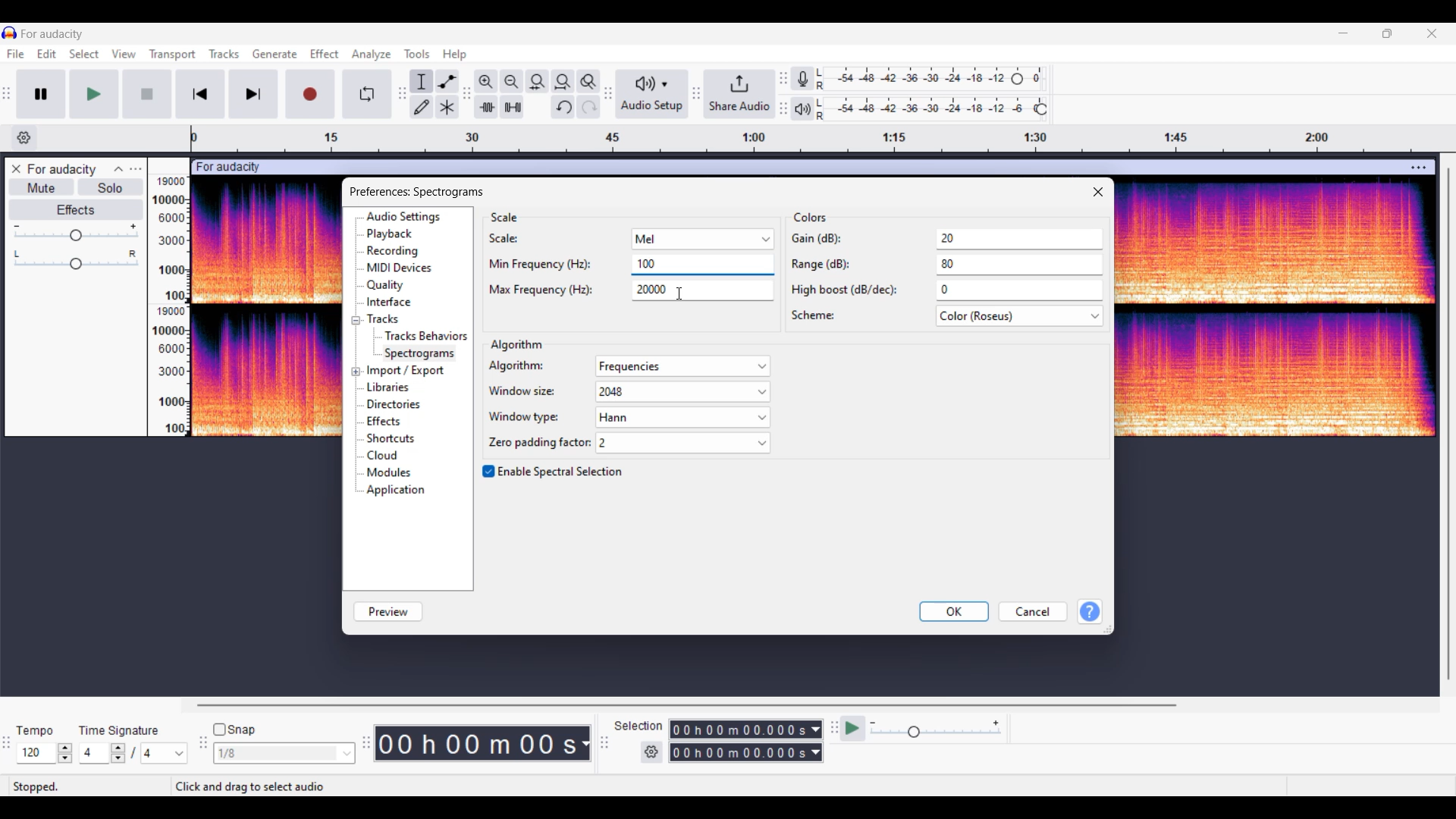 This screenshot has width=1456, height=819. Describe the element at coordinates (628, 367) in the screenshot. I see `algorithm` at that location.